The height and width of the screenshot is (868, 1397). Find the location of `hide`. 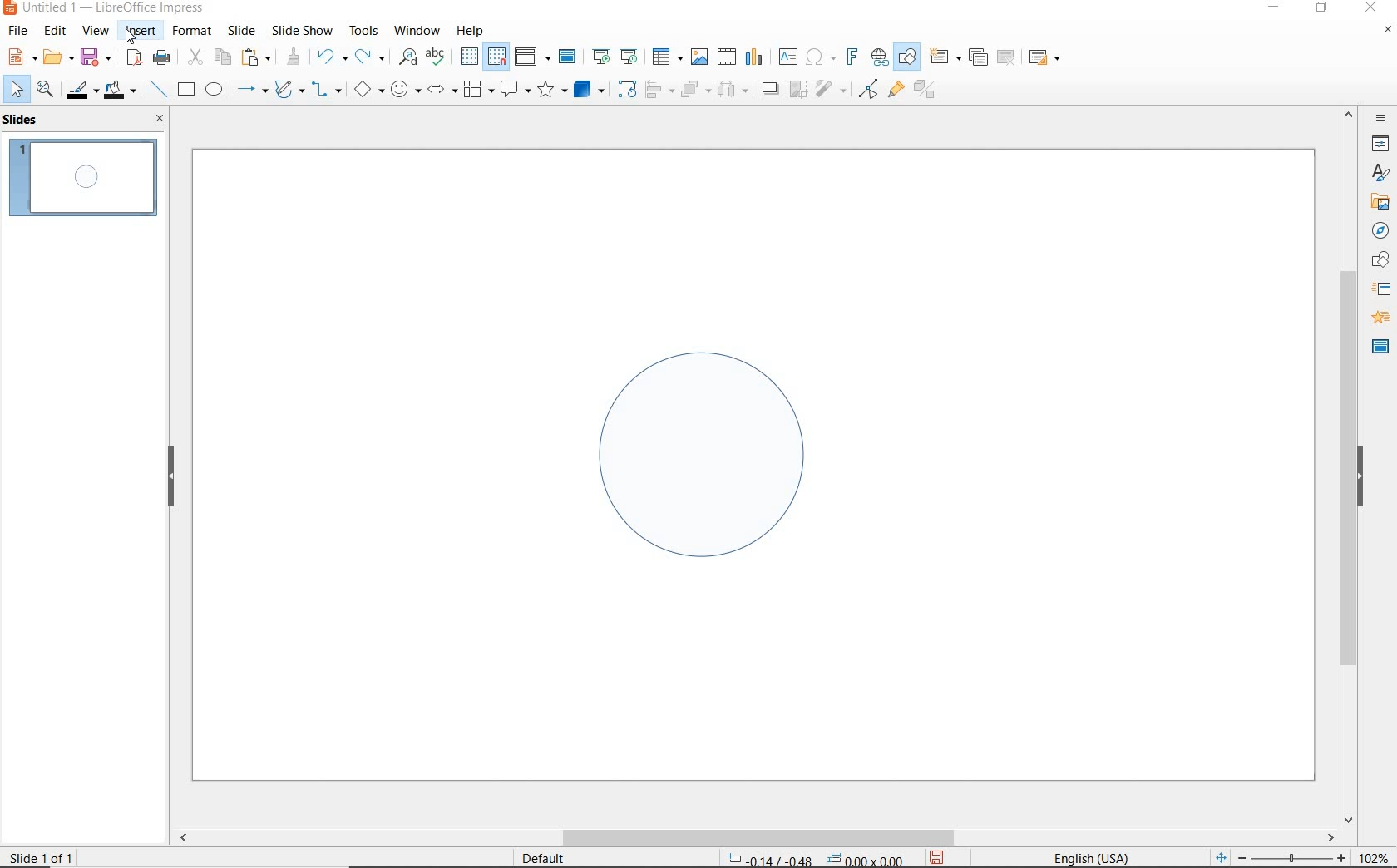

hide is located at coordinates (171, 477).